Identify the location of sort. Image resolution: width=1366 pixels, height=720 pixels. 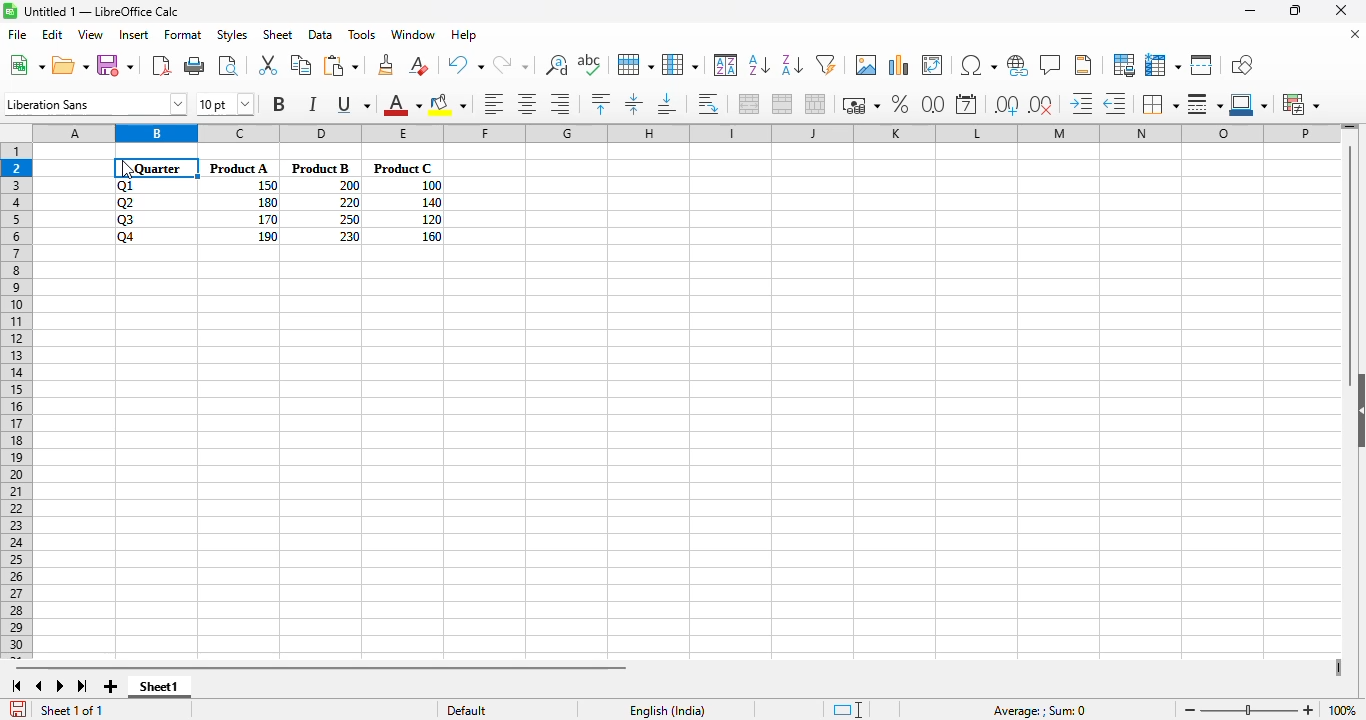
(726, 65).